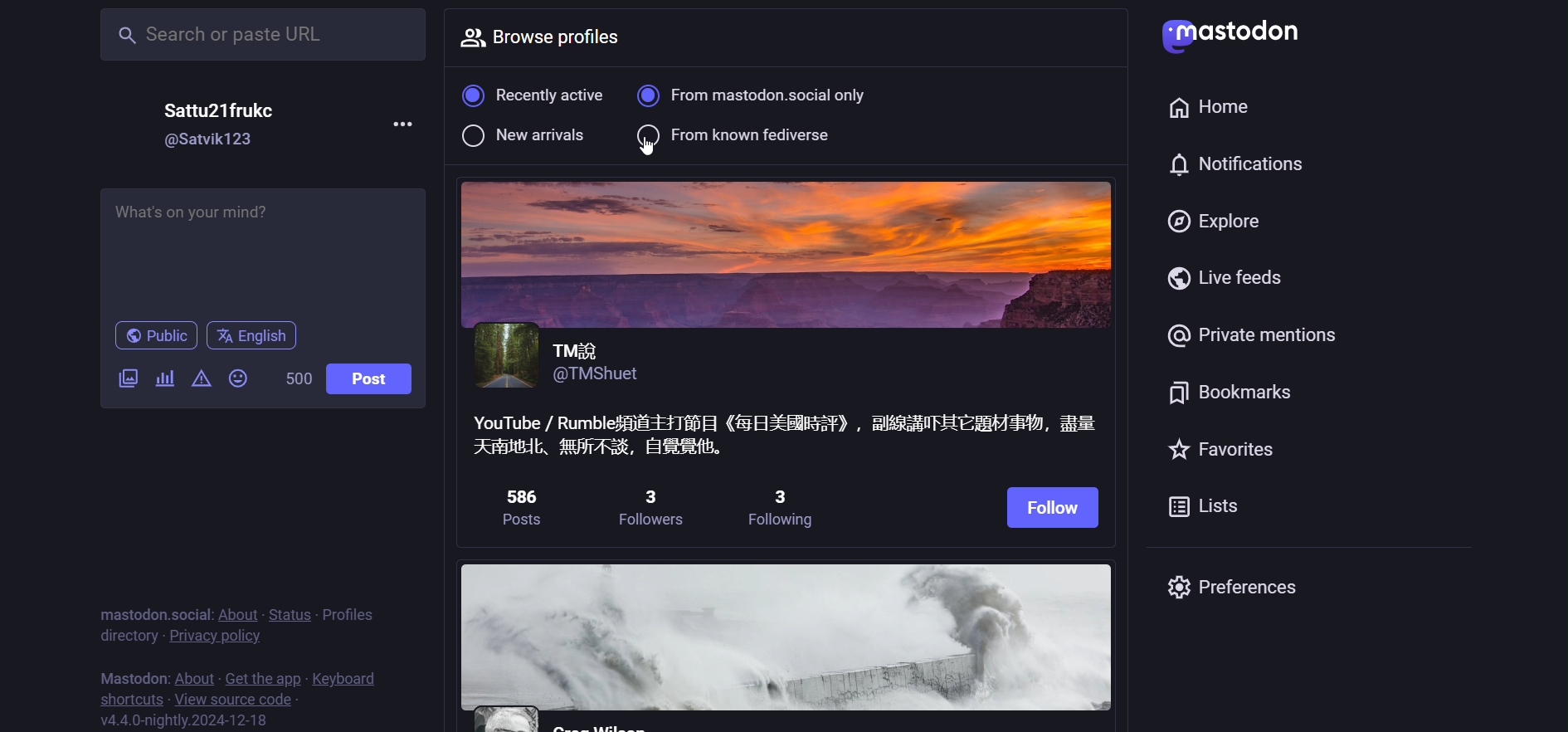 This screenshot has height=732, width=1568. I want to click on about, so click(195, 674).